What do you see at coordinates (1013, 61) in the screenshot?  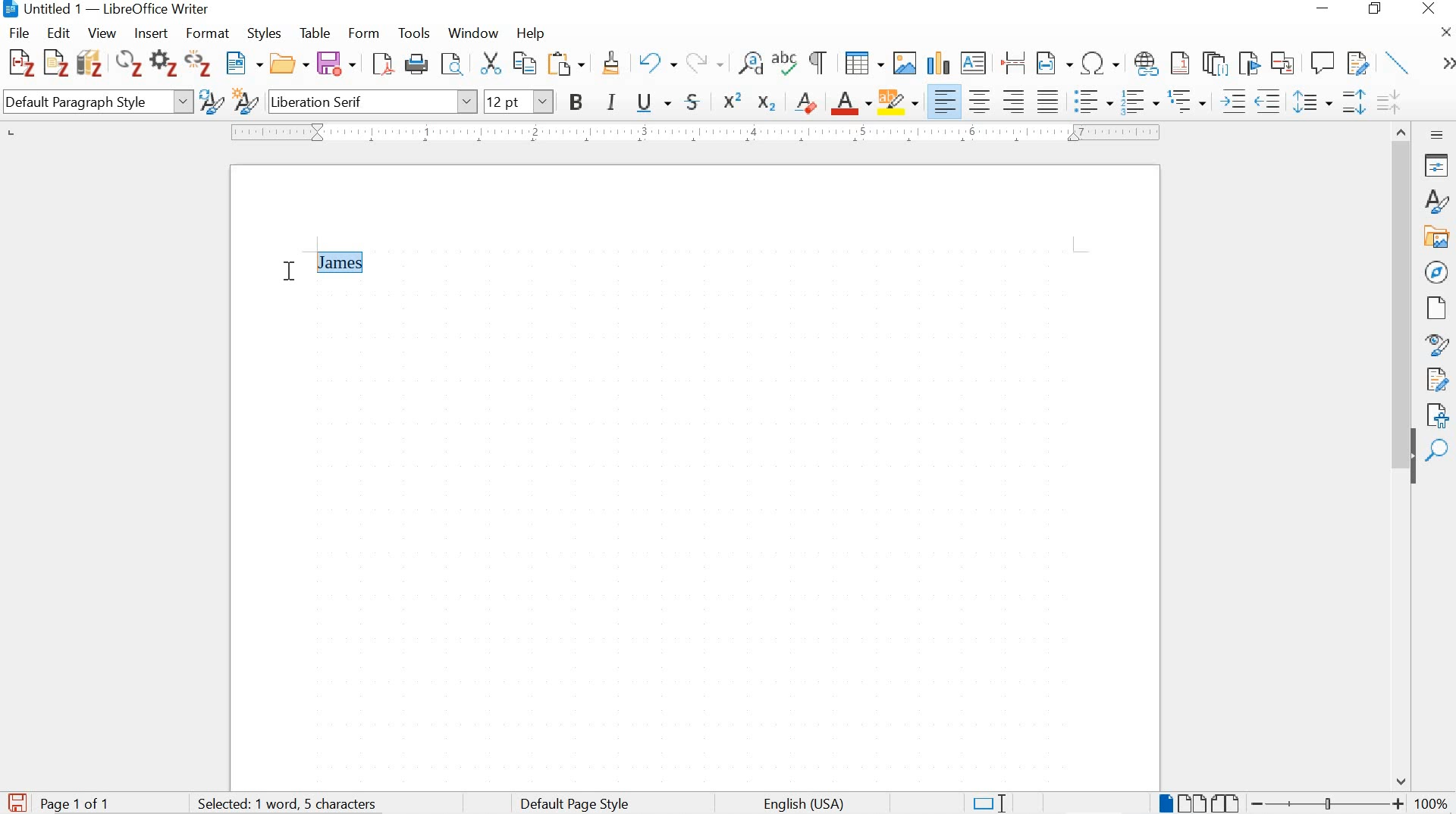 I see `insert page break` at bounding box center [1013, 61].